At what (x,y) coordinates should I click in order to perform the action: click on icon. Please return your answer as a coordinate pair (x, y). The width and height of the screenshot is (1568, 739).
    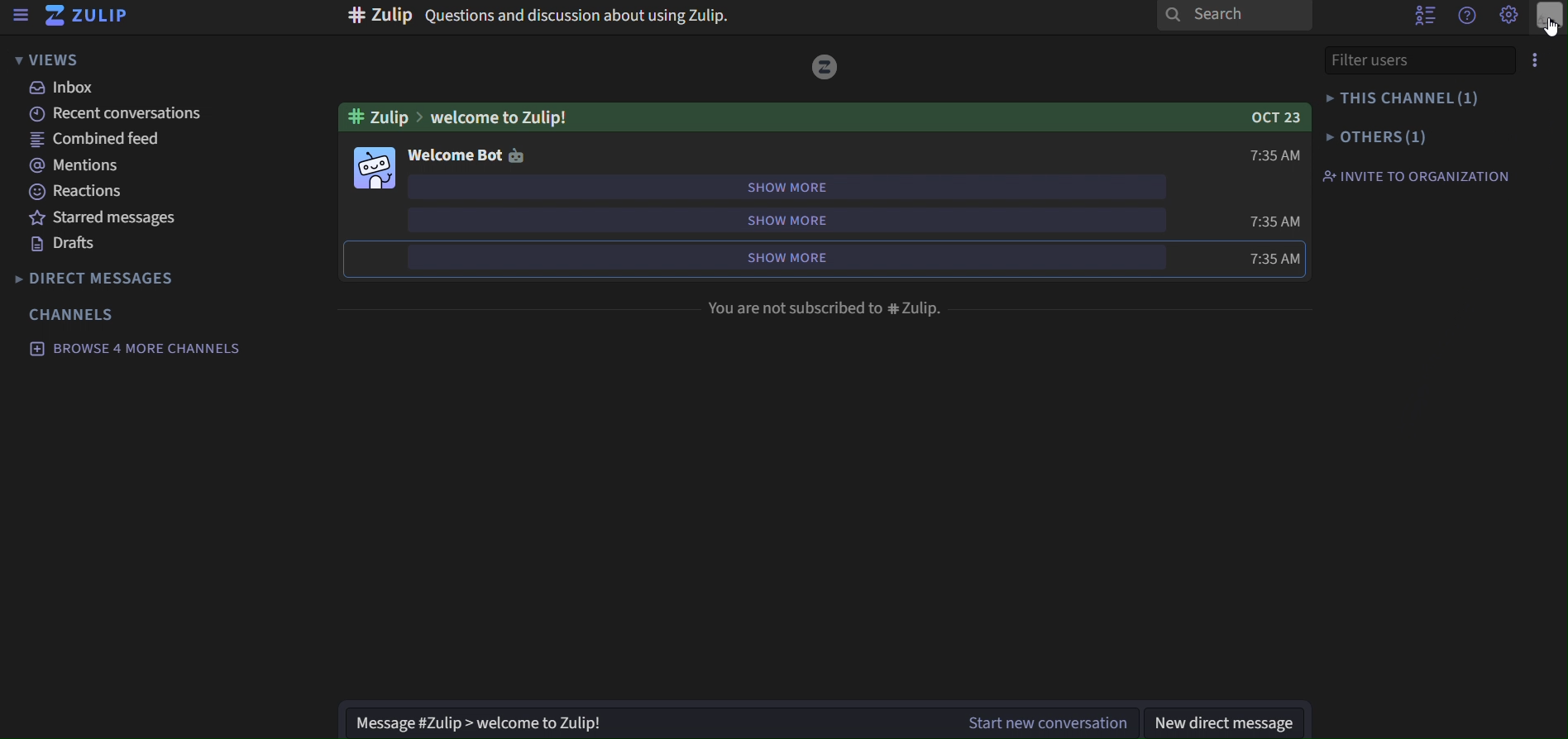
    Looking at the image, I should click on (516, 156).